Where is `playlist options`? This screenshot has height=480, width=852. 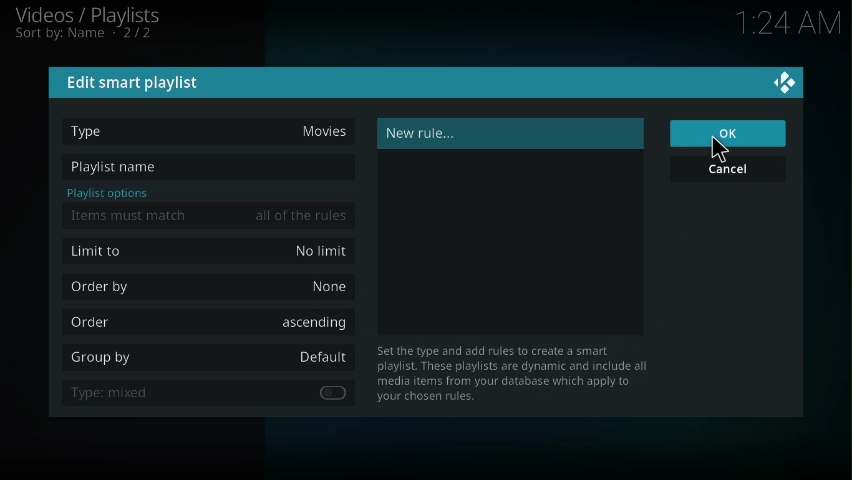 playlist options is located at coordinates (109, 191).